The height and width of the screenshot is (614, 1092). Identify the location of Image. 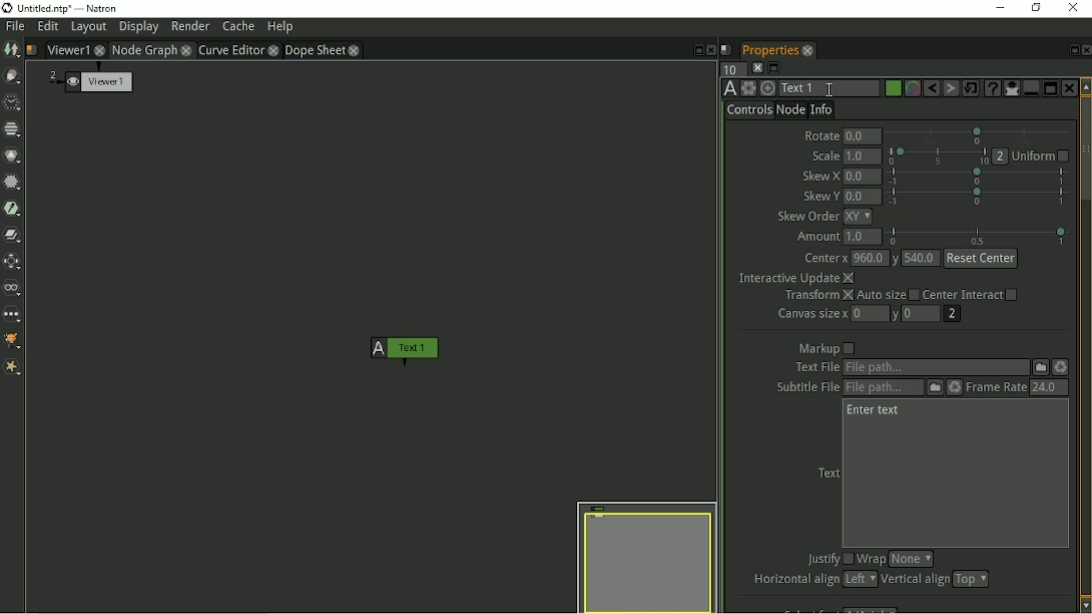
(11, 50).